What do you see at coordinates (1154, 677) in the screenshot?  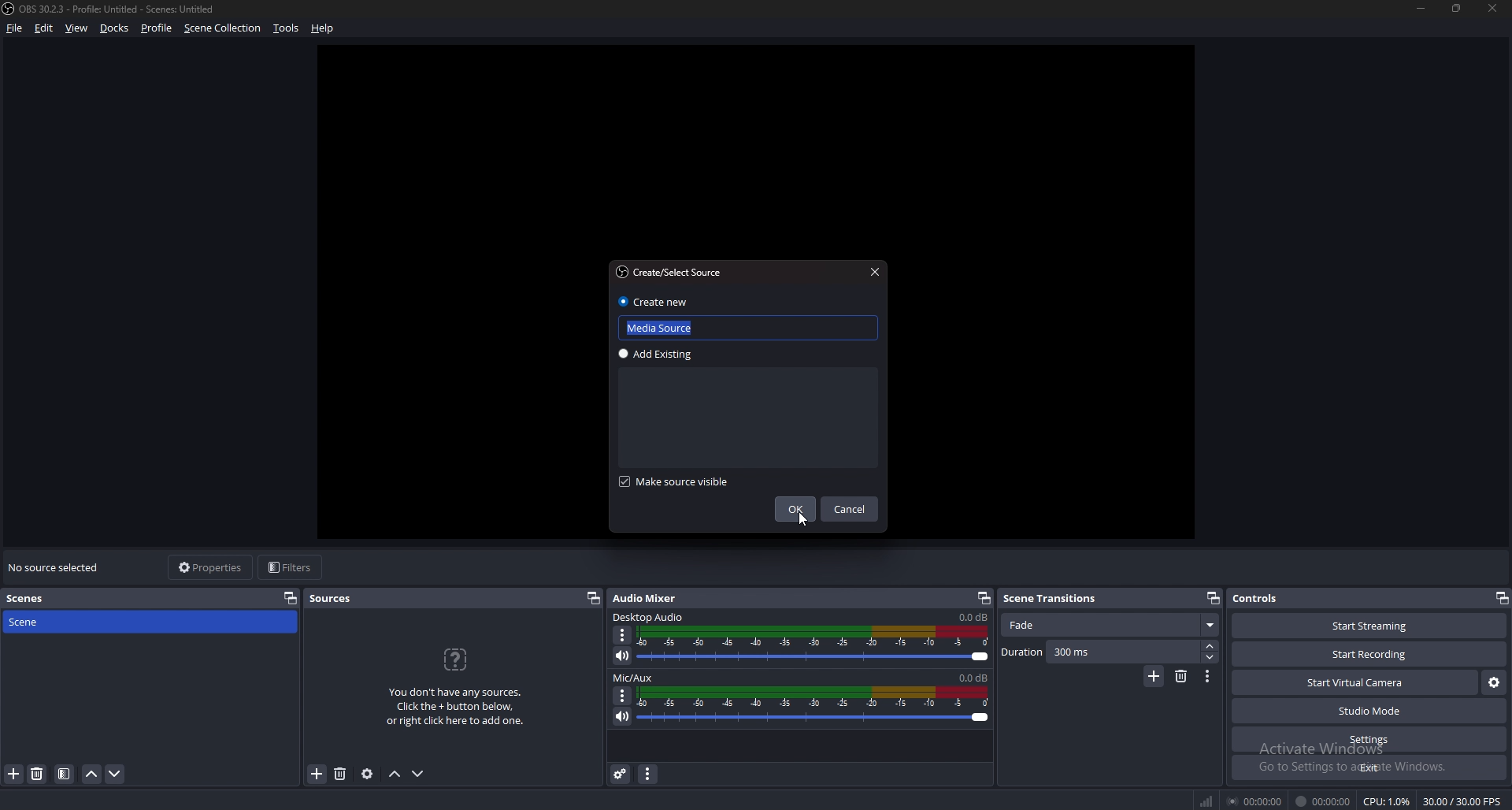 I see `Add configurable transitions` at bounding box center [1154, 677].